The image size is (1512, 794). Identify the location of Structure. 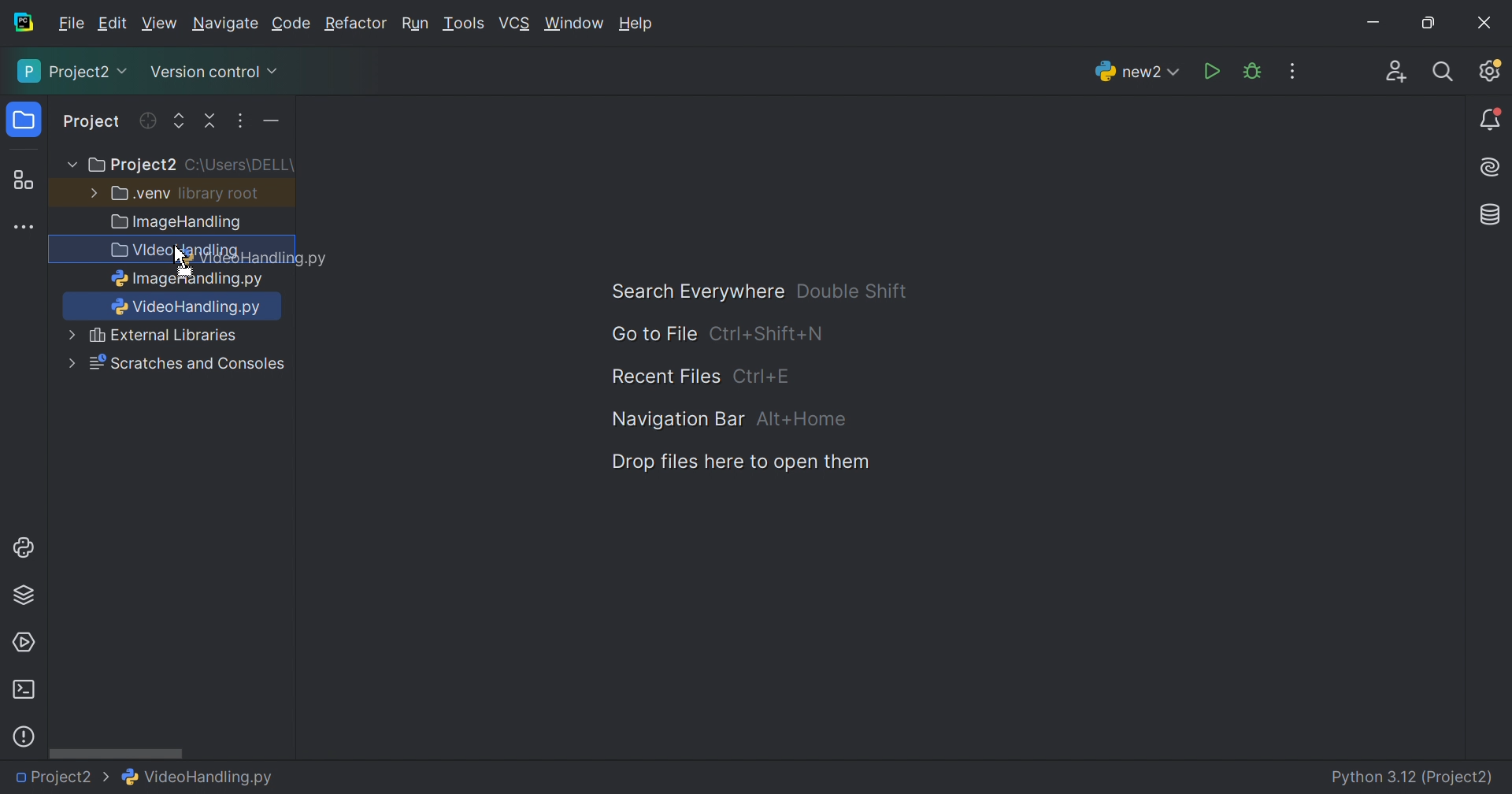
(23, 181).